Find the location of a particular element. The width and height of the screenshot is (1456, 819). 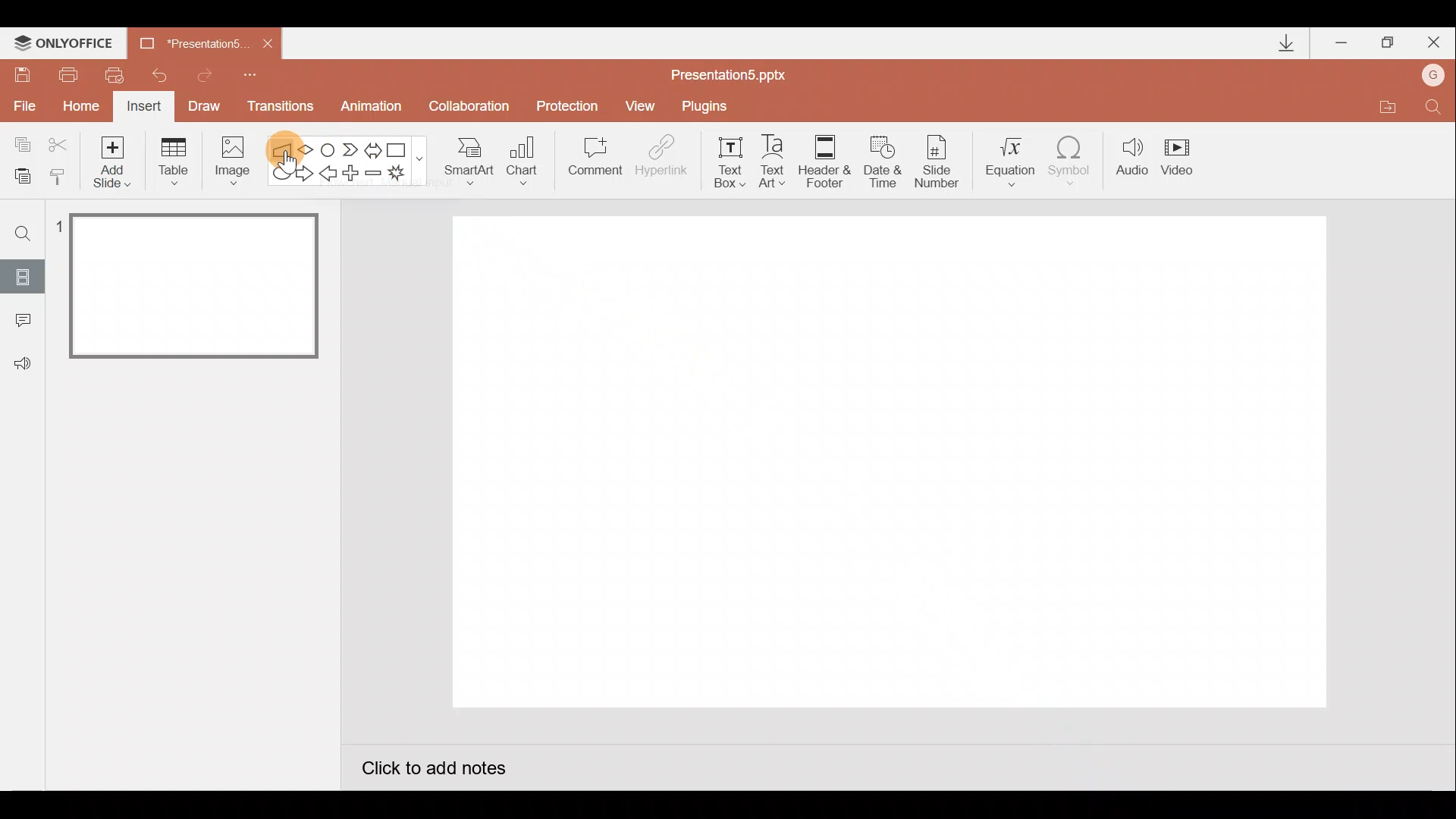

Close is located at coordinates (268, 44).